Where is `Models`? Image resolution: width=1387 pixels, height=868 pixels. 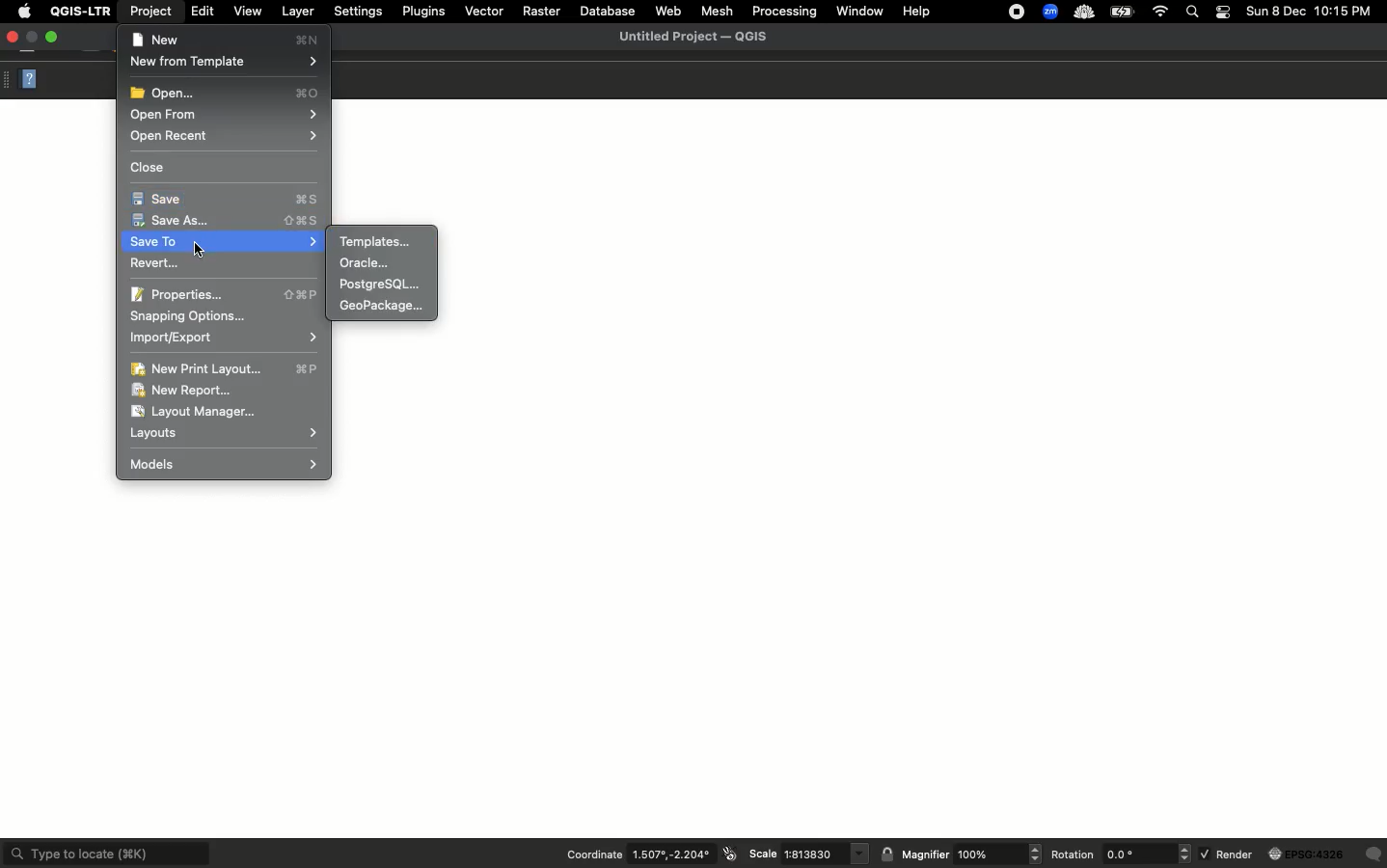
Models is located at coordinates (223, 463).